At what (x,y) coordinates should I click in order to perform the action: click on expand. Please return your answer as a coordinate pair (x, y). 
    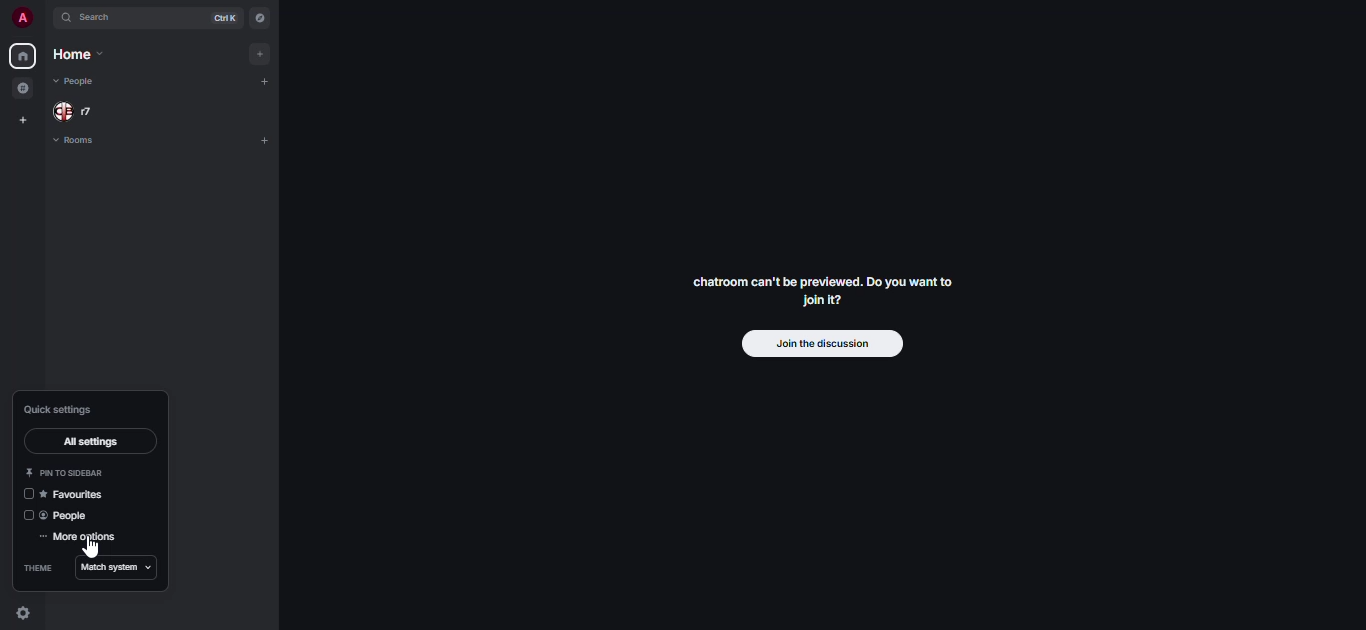
    Looking at the image, I should click on (45, 19).